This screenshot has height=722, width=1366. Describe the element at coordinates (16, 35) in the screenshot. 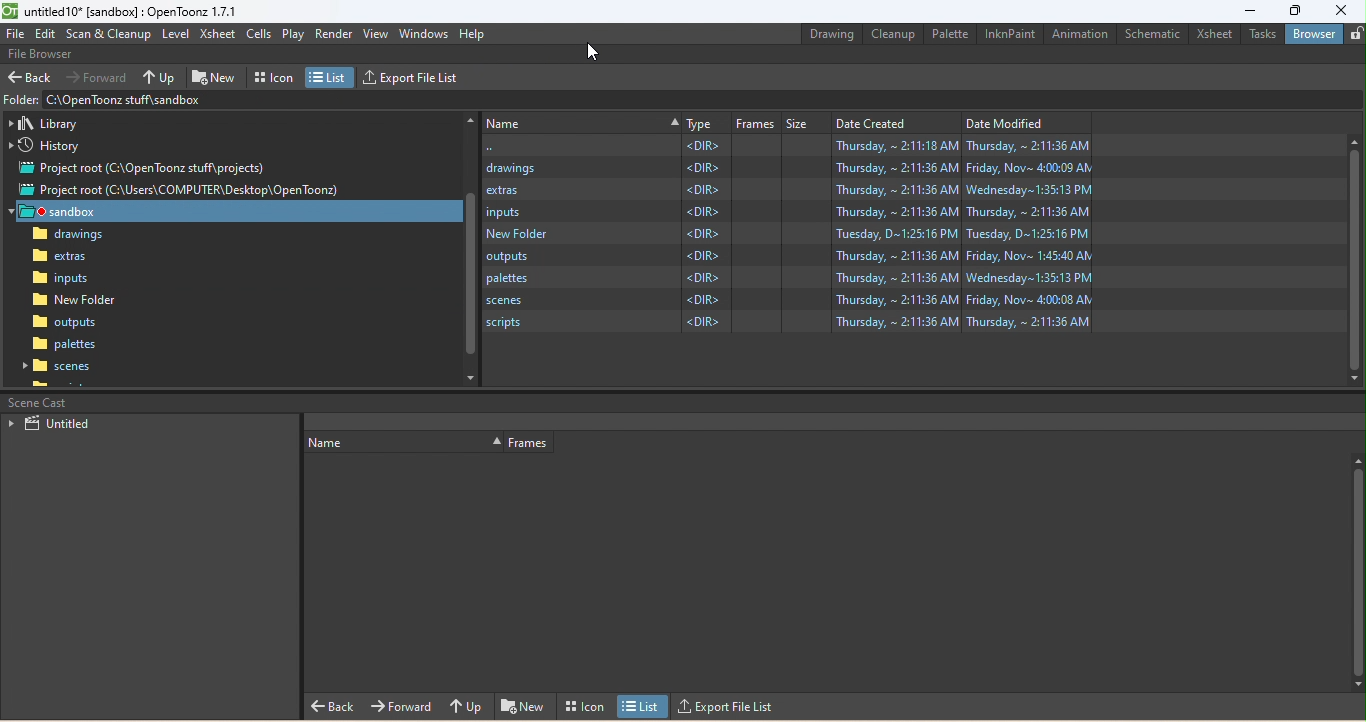

I see `File` at that location.